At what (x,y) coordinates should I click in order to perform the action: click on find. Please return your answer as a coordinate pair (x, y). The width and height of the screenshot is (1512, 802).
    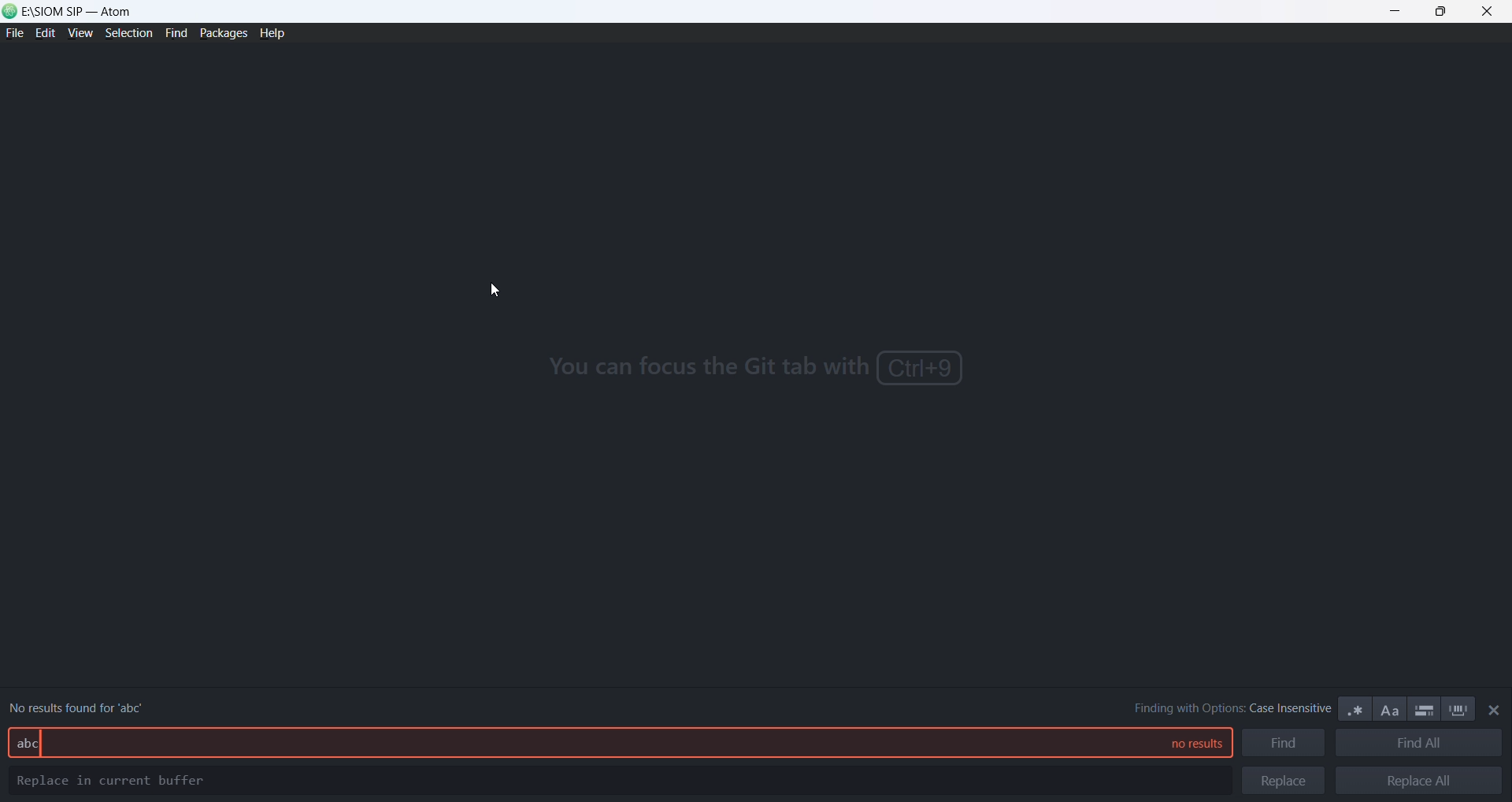
    Looking at the image, I should click on (173, 34).